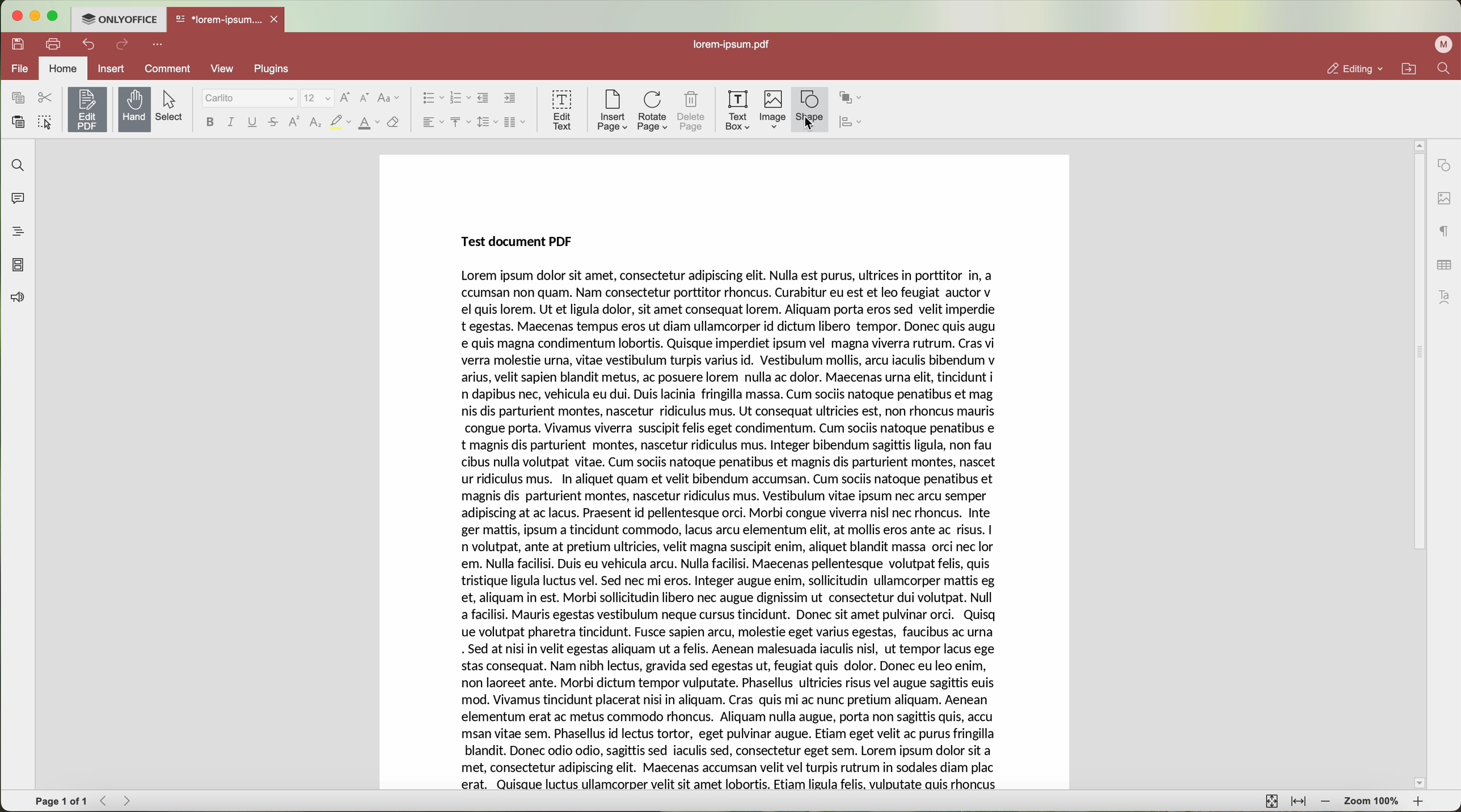  What do you see at coordinates (773, 110) in the screenshot?
I see `image` at bounding box center [773, 110].